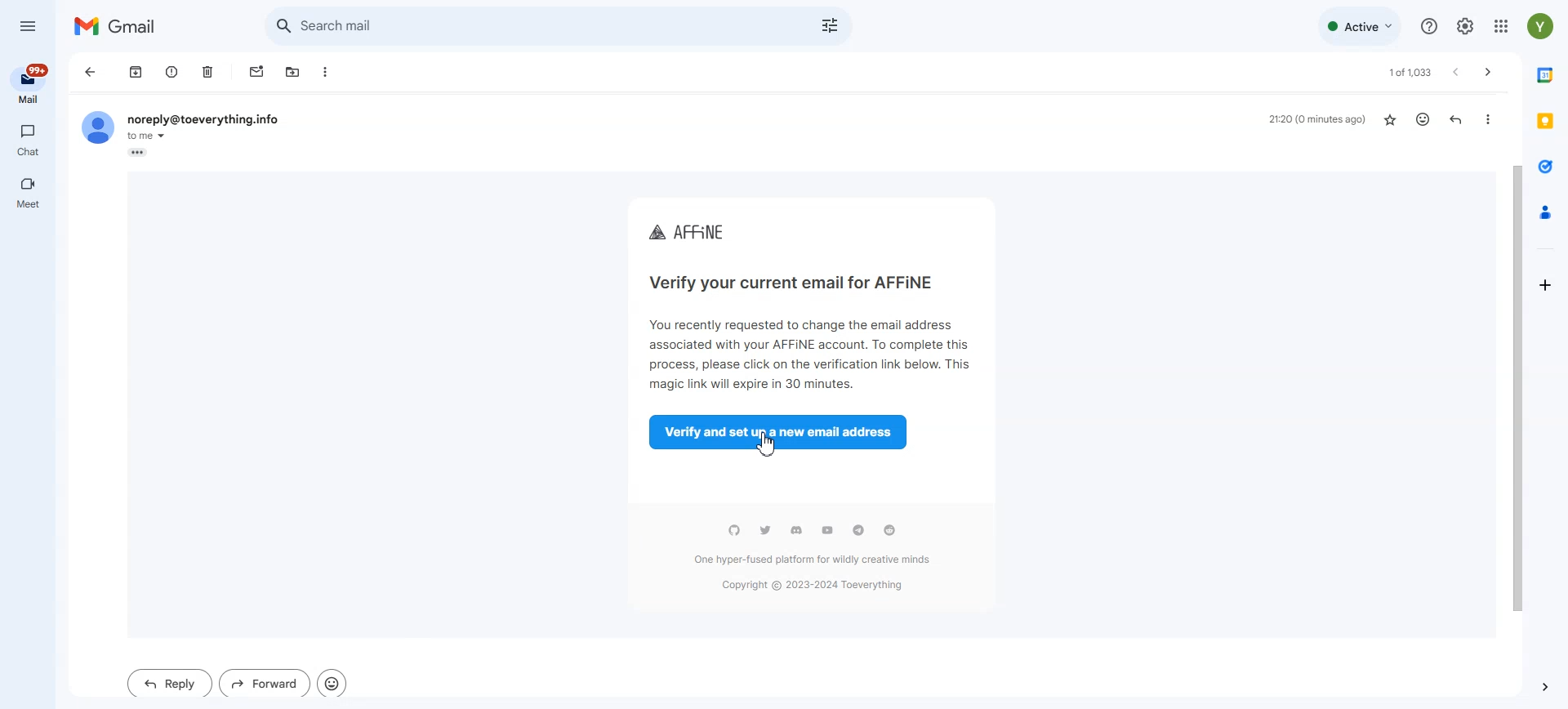  Describe the element at coordinates (290, 73) in the screenshot. I see `Move to` at that location.